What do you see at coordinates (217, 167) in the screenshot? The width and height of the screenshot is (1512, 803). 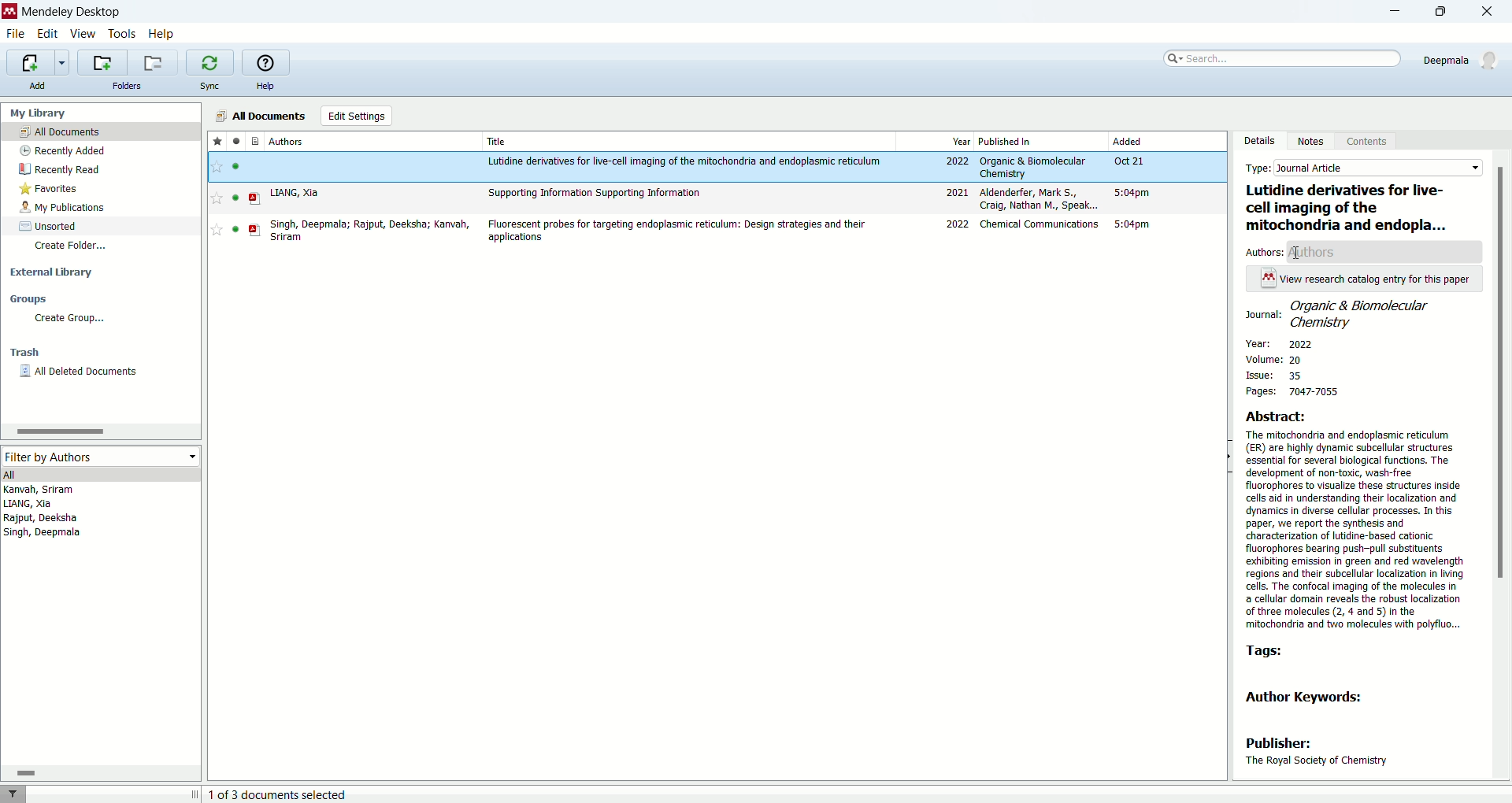 I see `favourite` at bounding box center [217, 167].